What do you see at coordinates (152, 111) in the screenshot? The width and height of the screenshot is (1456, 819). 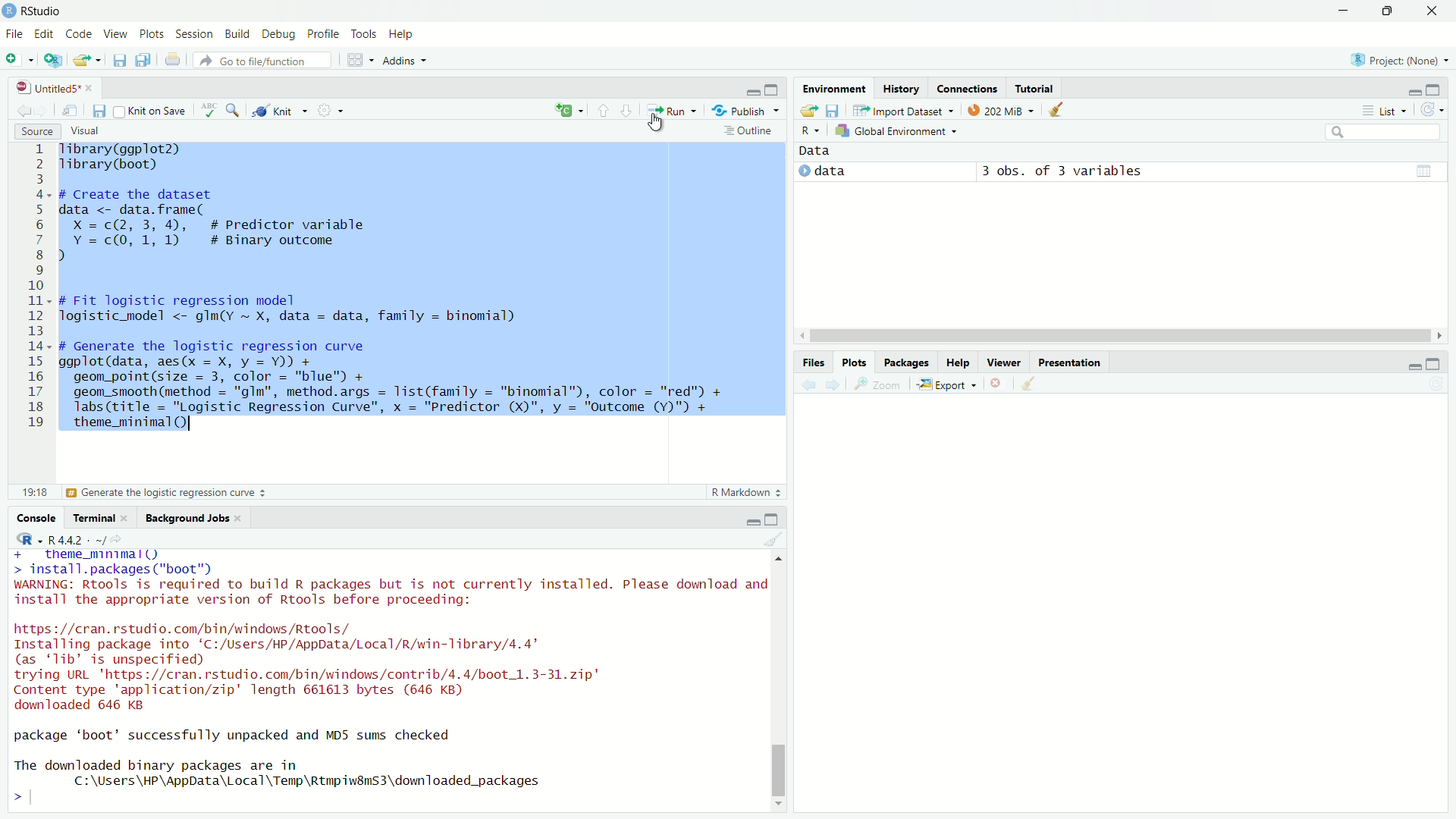 I see `Knit on Save` at bounding box center [152, 111].